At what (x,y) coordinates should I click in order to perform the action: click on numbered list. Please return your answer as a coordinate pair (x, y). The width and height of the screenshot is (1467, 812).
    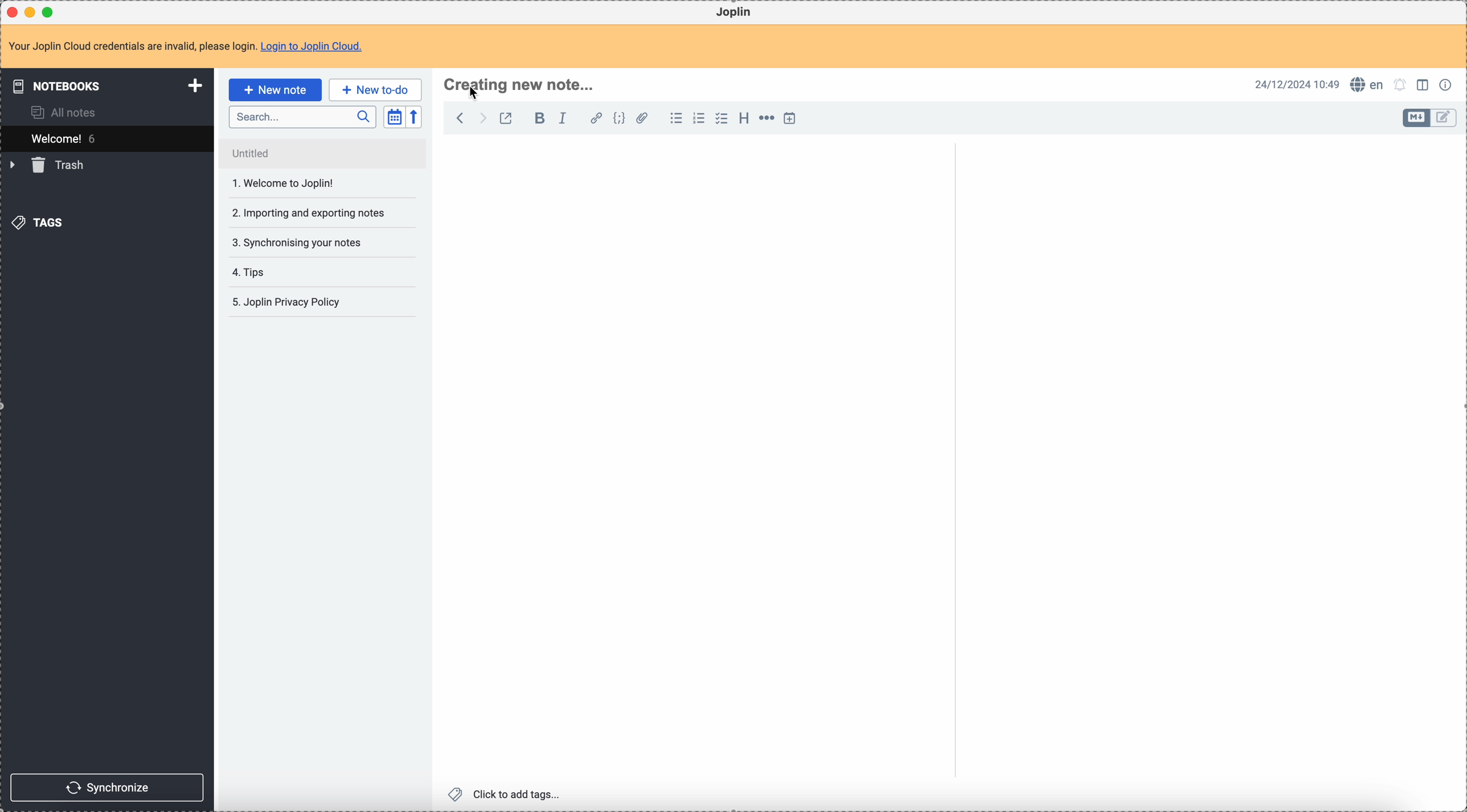
    Looking at the image, I should click on (700, 118).